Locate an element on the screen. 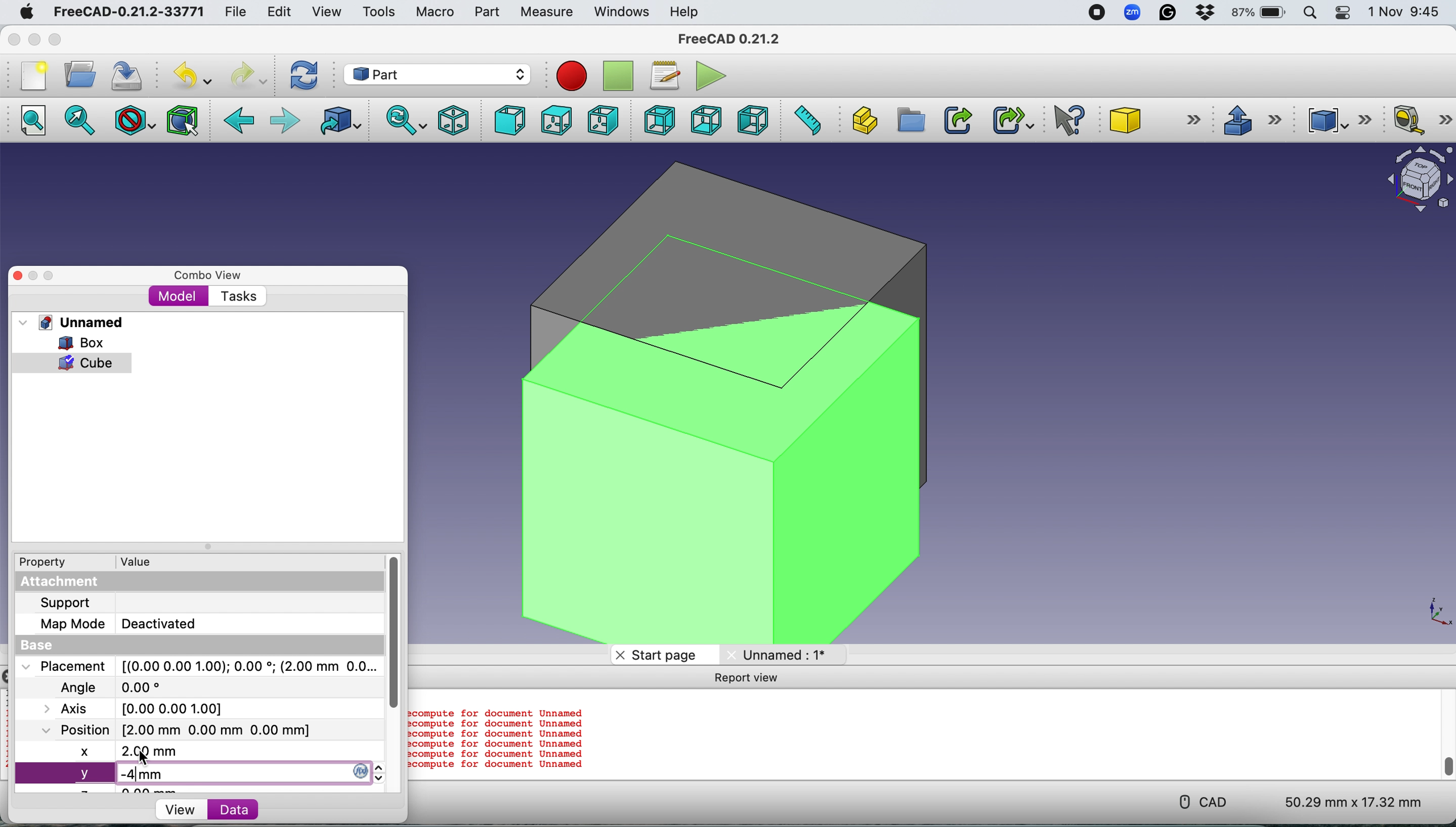 The height and width of the screenshot is (827, 1456). CAD is located at coordinates (1197, 800).